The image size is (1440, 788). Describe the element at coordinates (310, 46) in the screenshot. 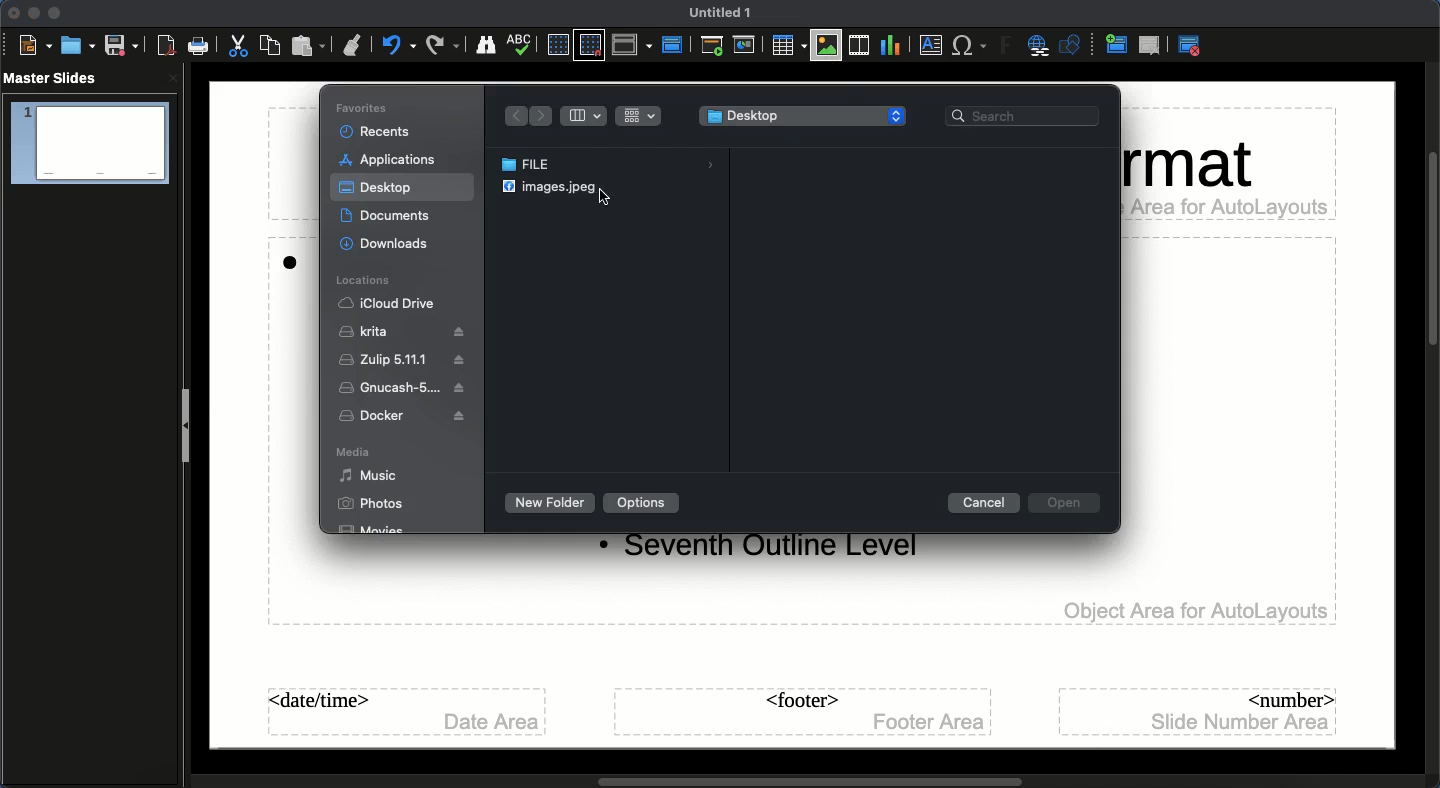

I see `Paste` at that location.